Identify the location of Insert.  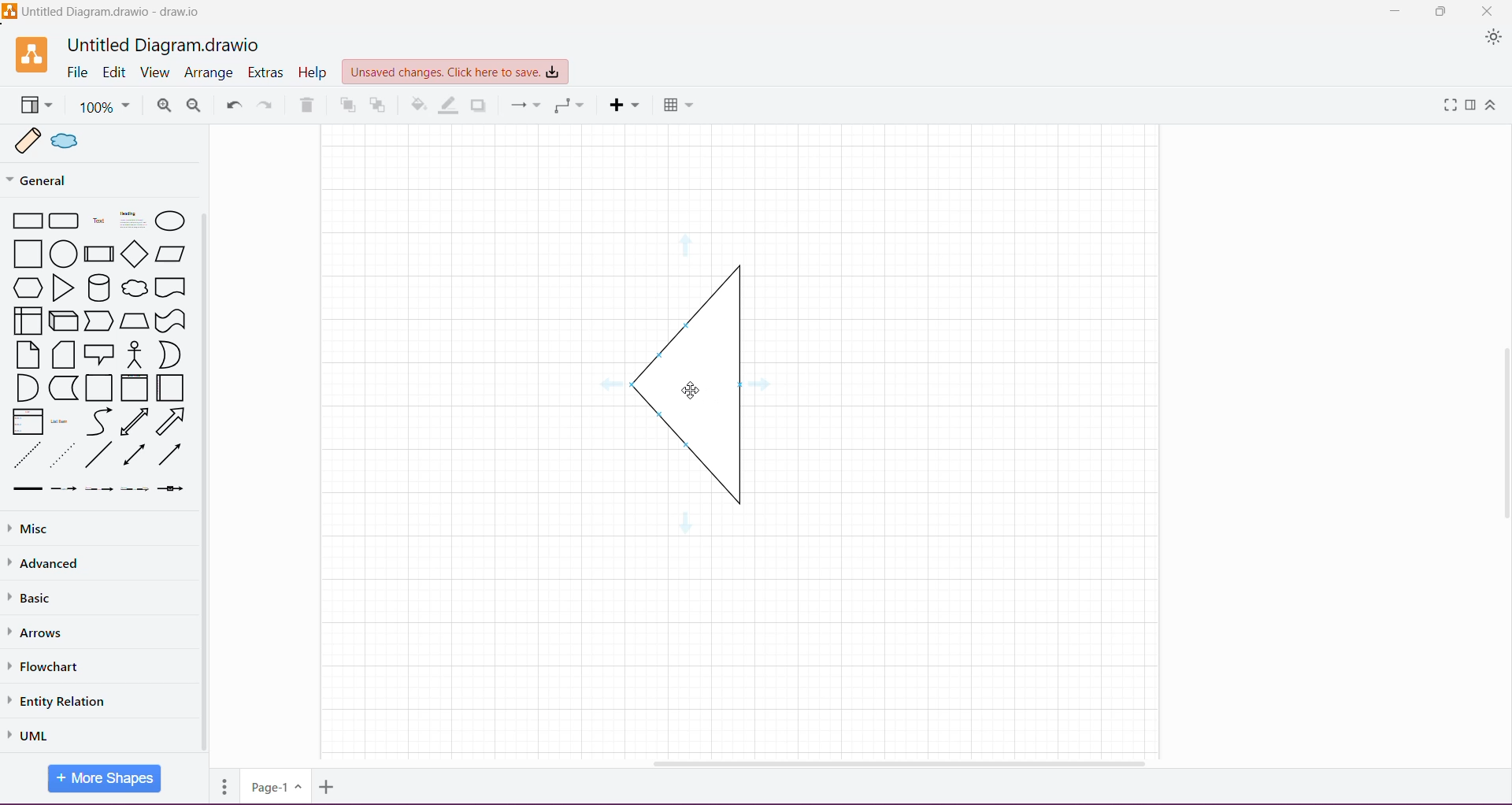
(625, 106).